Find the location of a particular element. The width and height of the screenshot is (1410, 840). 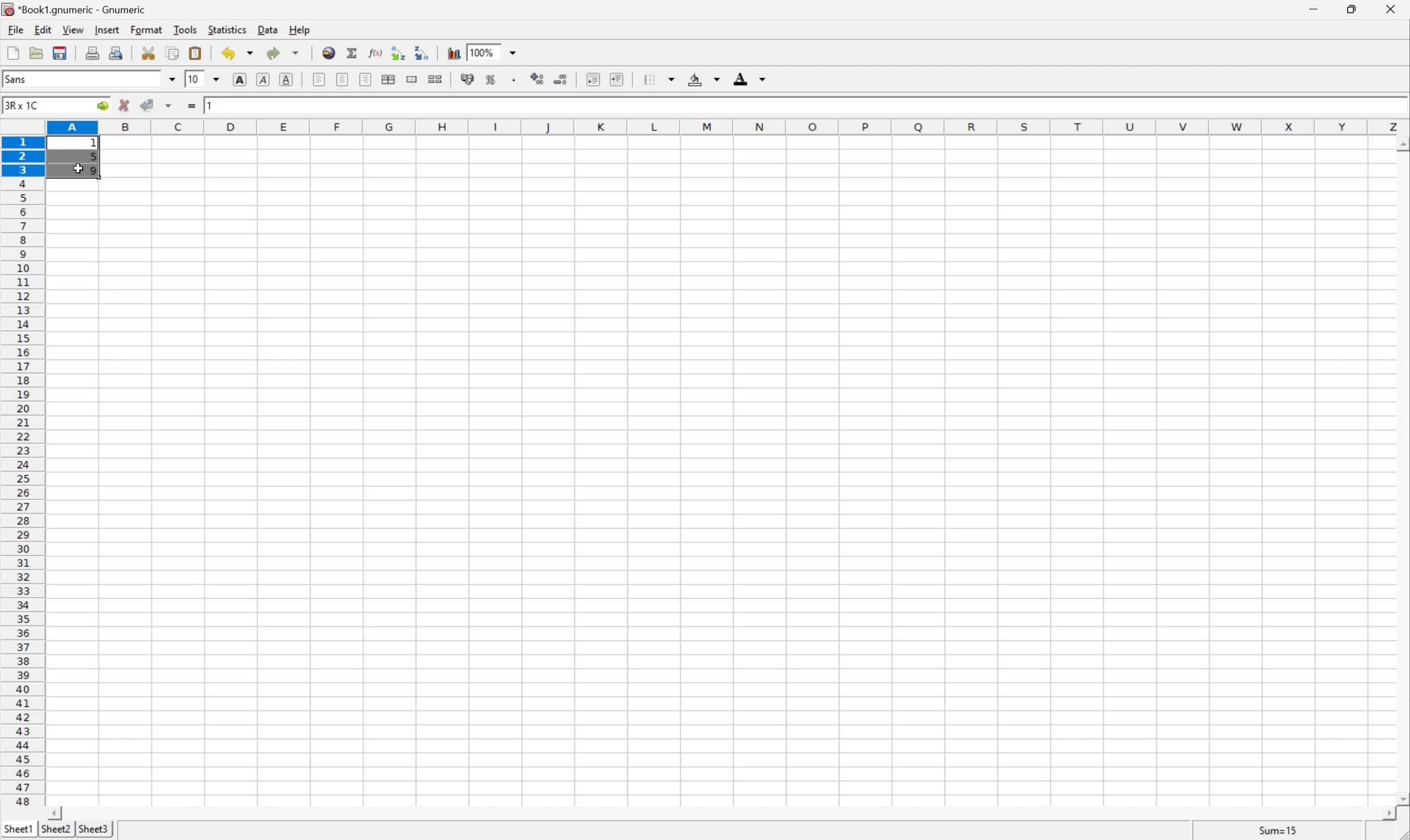

tools is located at coordinates (186, 29).